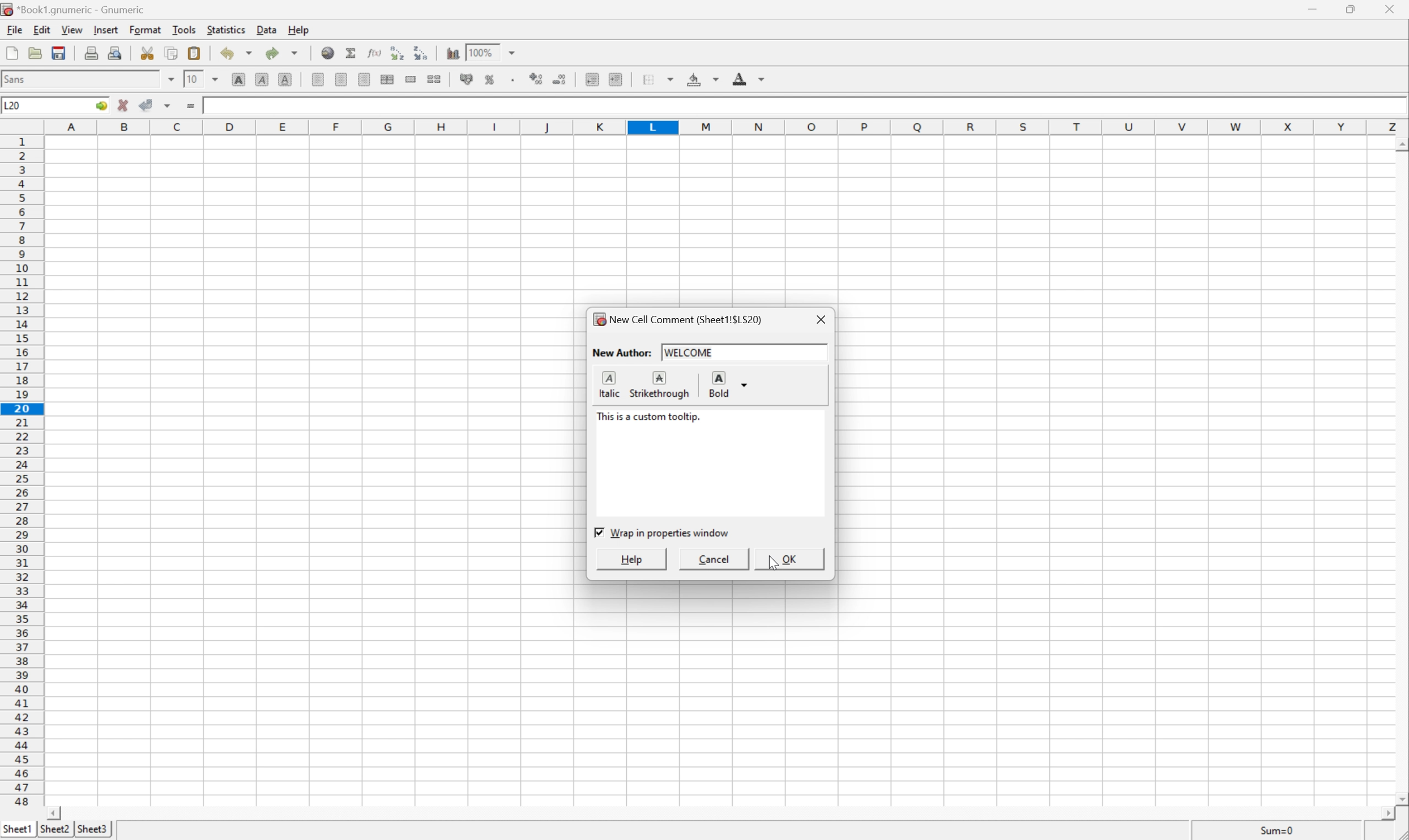 This screenshot has height=840, width=1409. I want to click on Sort the selected region in ascending order based on the first column selected, so click(395, 51).